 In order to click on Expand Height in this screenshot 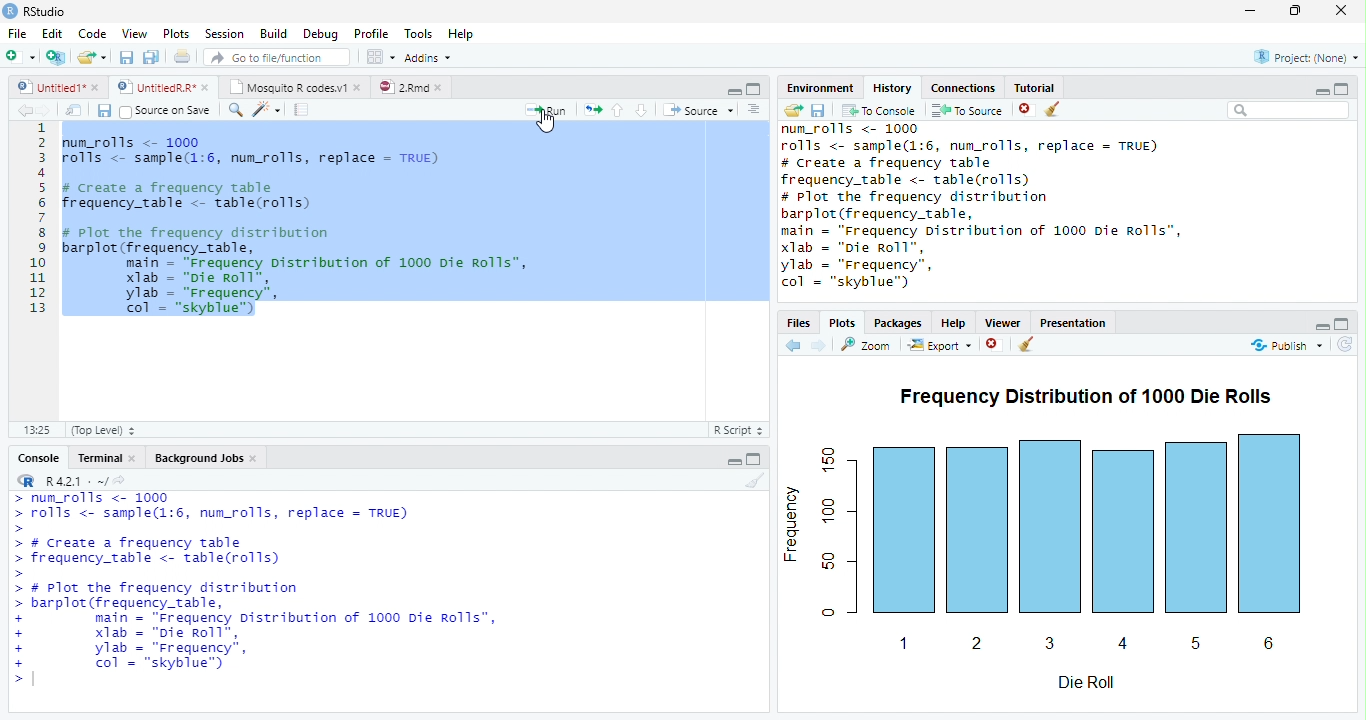, I will do `click(755, 459)`.